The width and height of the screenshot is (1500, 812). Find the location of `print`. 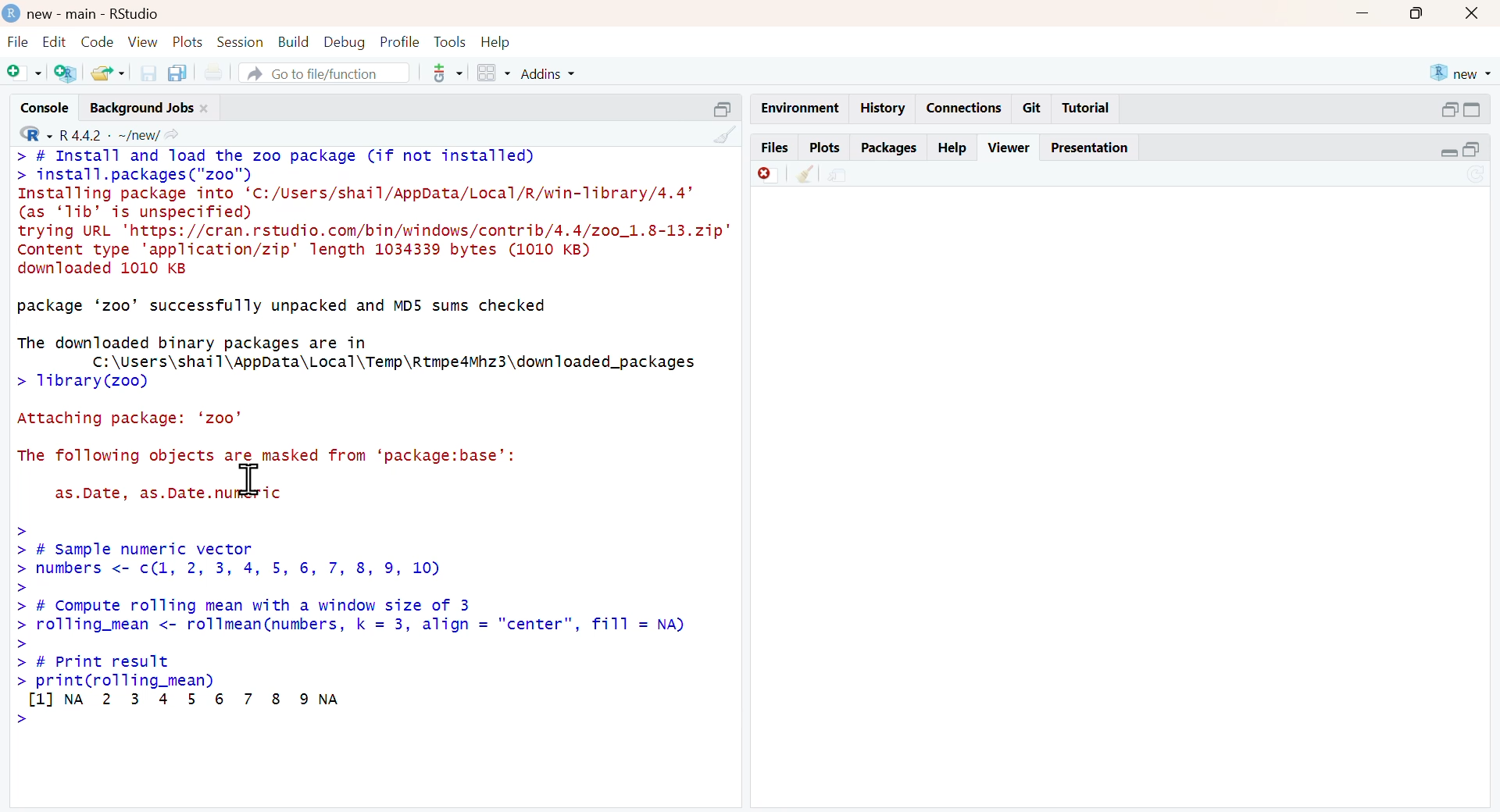

print is located at coordinates (216, 72).